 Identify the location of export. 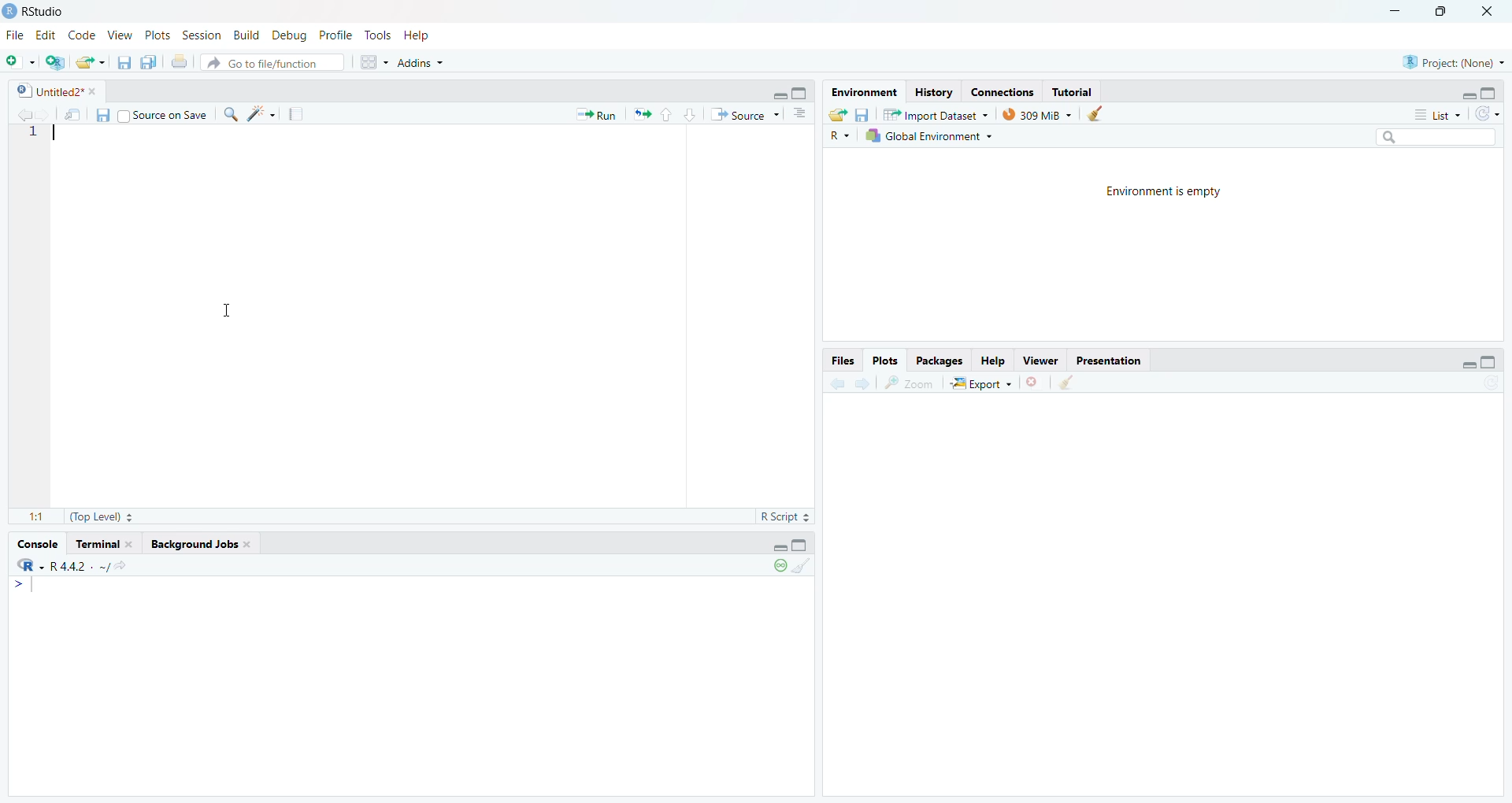
(643, 117).